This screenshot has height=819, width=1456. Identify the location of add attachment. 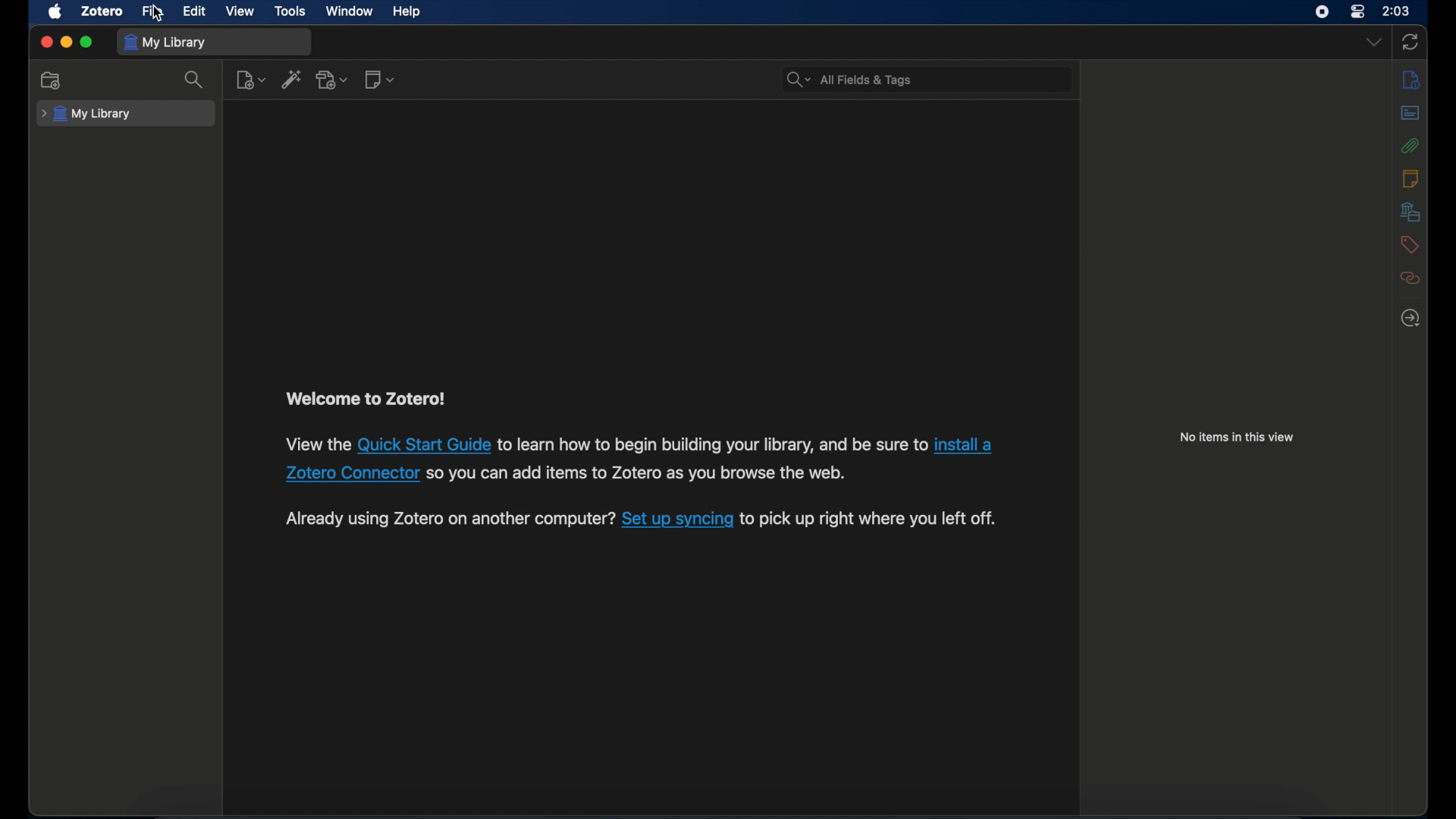
(334, 80).